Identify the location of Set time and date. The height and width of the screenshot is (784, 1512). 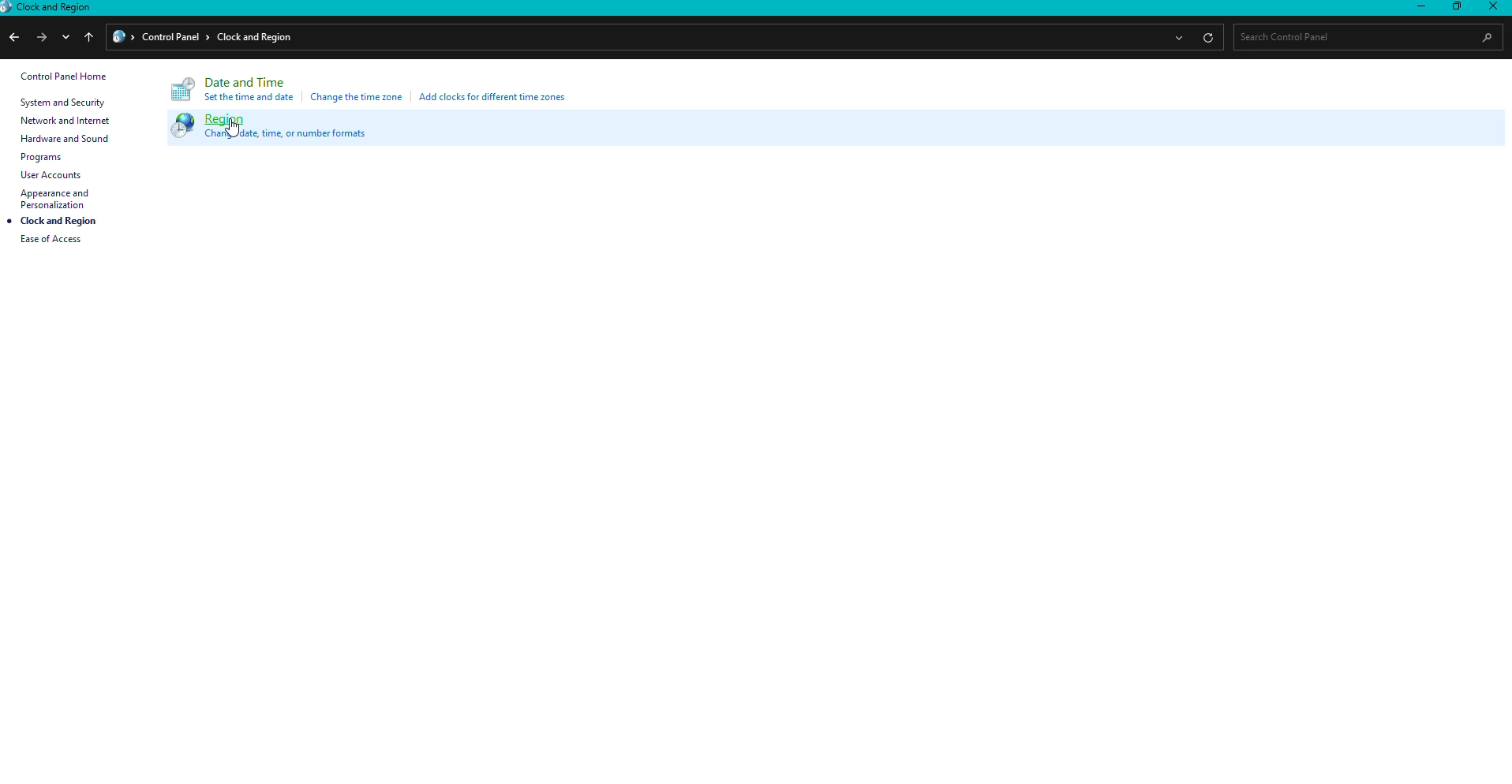
(251, 100).